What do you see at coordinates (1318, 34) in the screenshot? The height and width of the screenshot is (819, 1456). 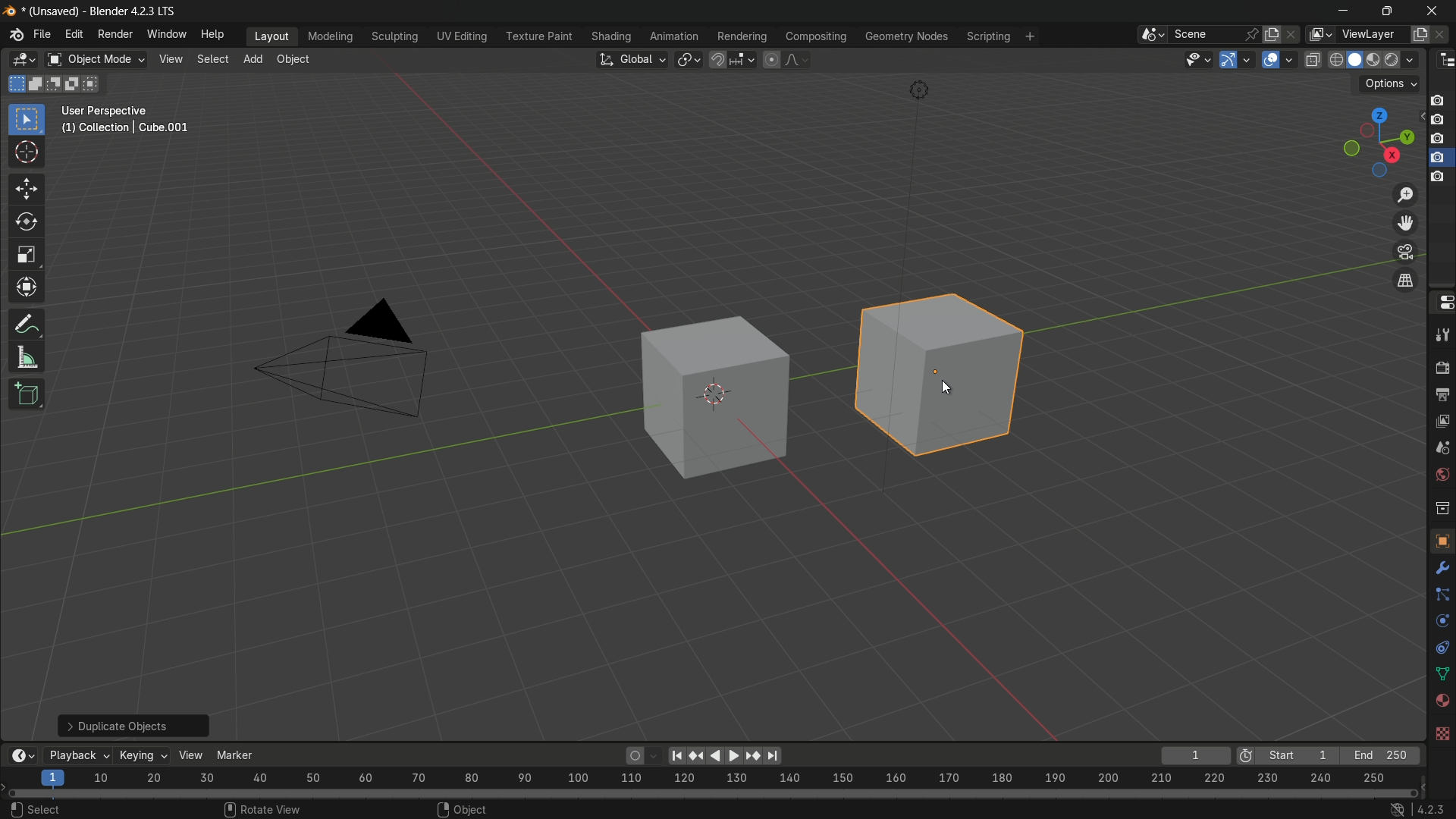 I see `active workspace` at bounding box center [1318, 34].